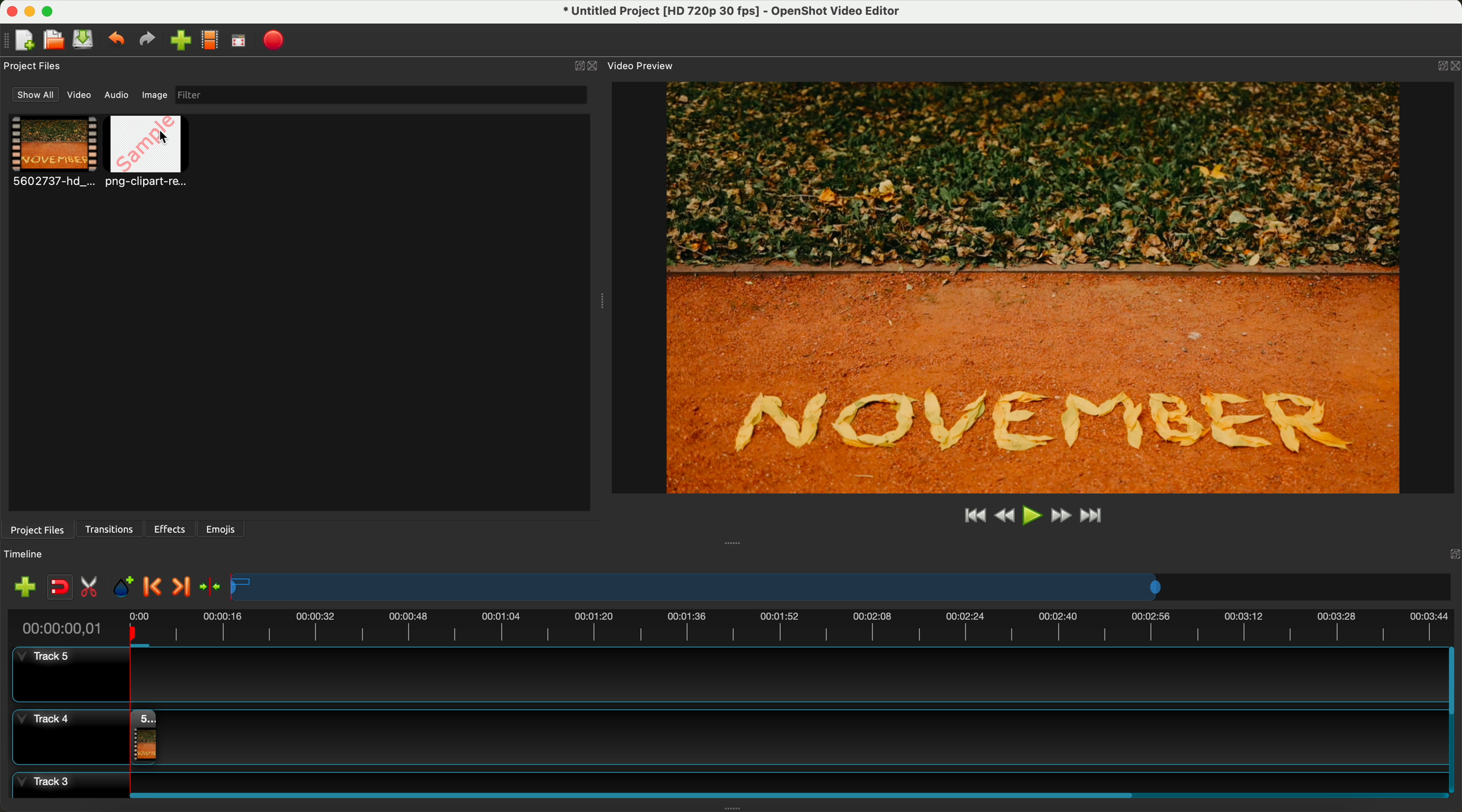 The width and height of the screenshot is (1462, 812). Describe the element at coordinates (118, 41) in the screenshot. I see `undo` at that location.